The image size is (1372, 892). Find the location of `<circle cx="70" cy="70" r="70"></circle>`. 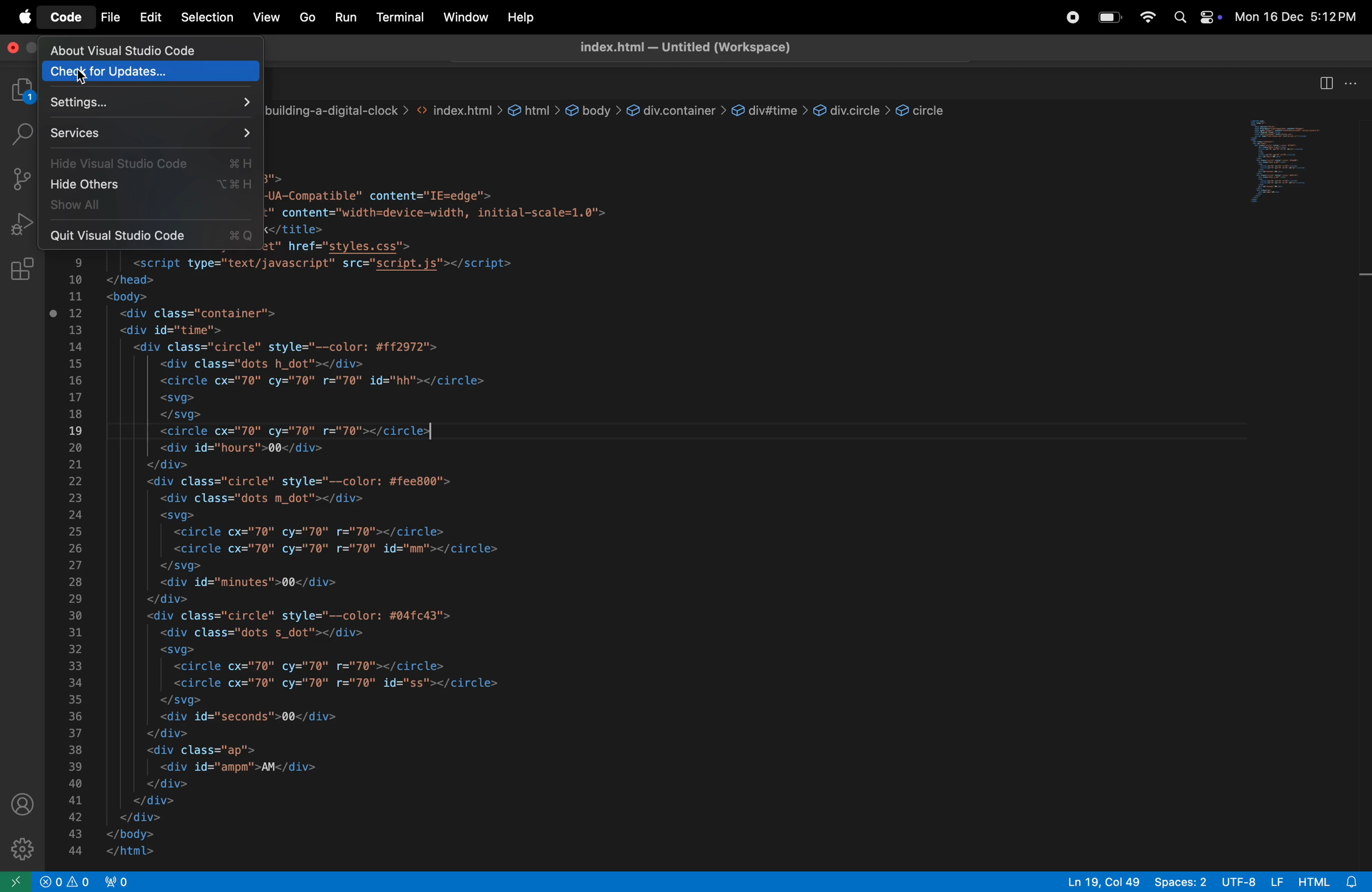

<circle cx="70" cy="70" r="70"></circle> is located at coordinates (322, 666).